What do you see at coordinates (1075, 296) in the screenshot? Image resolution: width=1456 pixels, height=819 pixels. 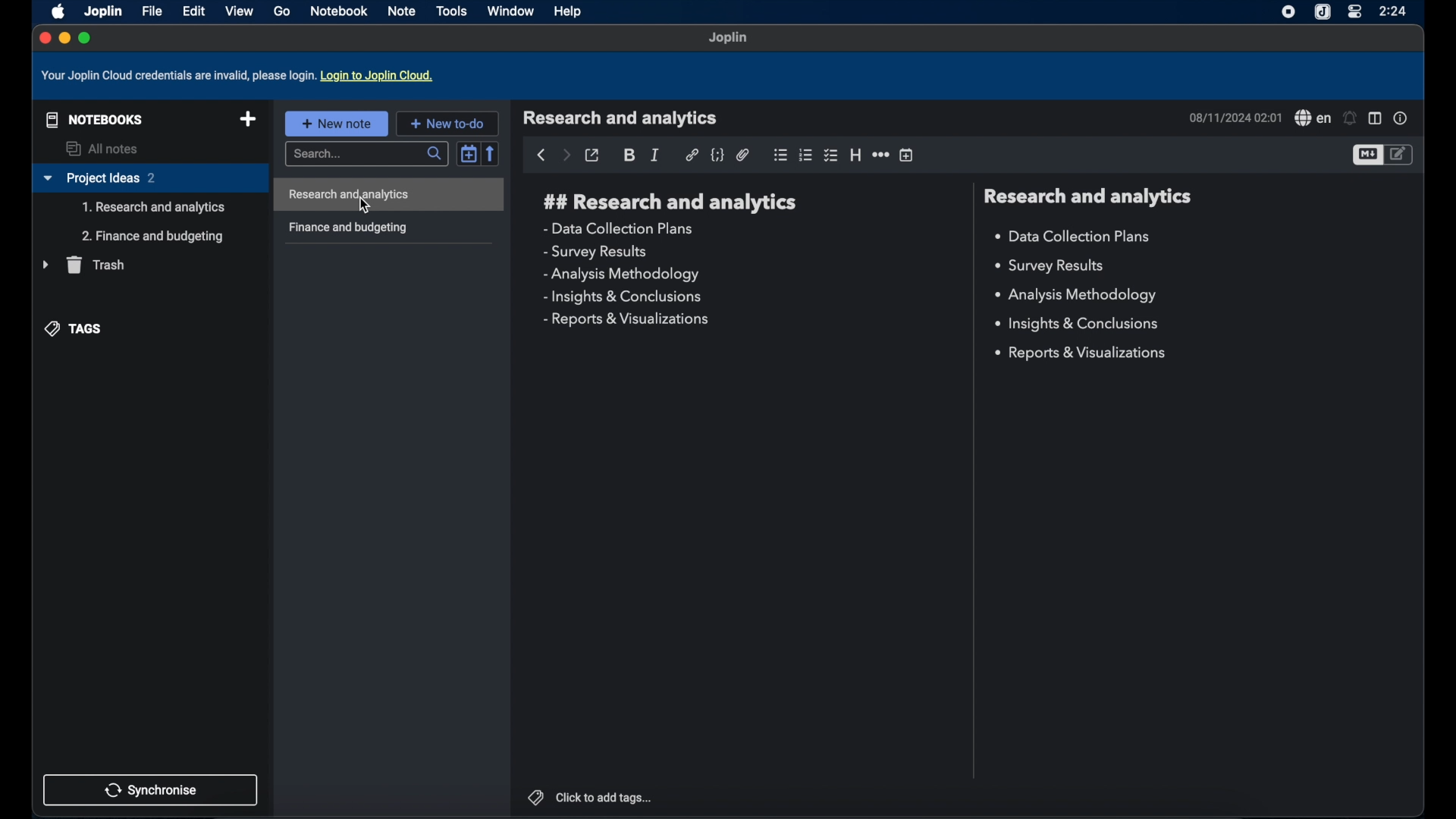 I see `analysis methodology` at bounding box center [1075, 296].